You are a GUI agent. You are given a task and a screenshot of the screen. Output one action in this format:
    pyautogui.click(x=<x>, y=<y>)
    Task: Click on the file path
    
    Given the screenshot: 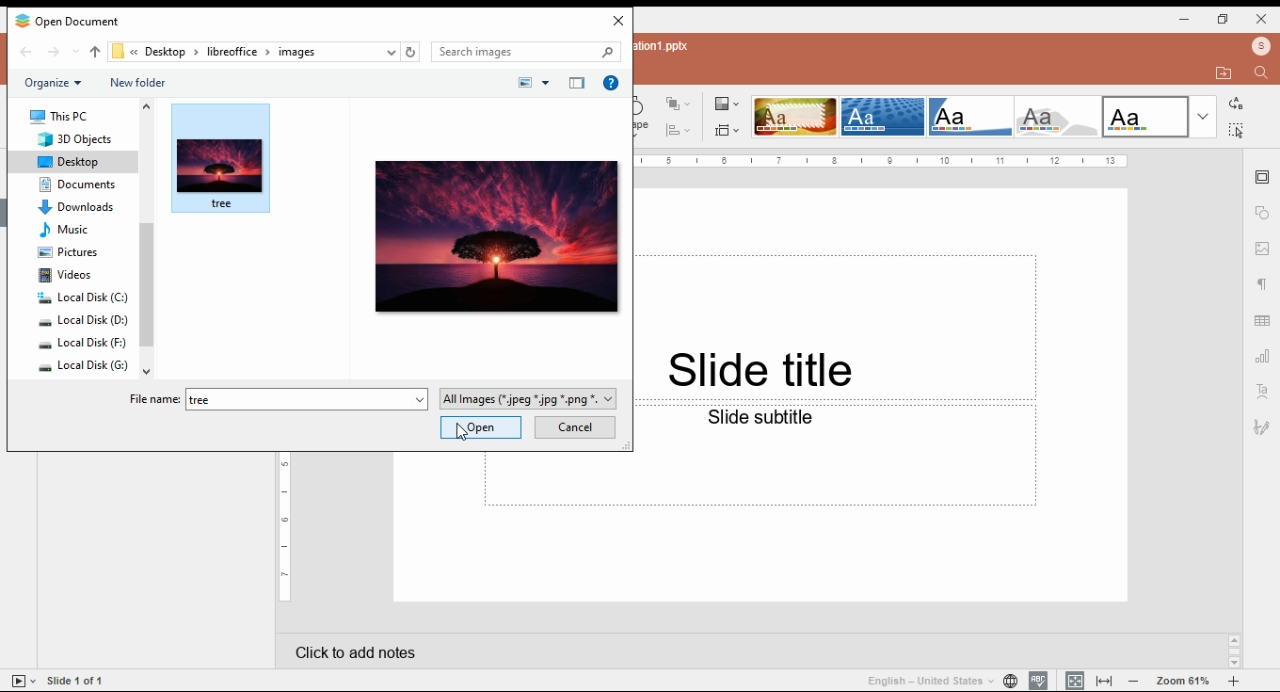 What is the action you would take?
    pyautogui.click(x=116, y=49)
    